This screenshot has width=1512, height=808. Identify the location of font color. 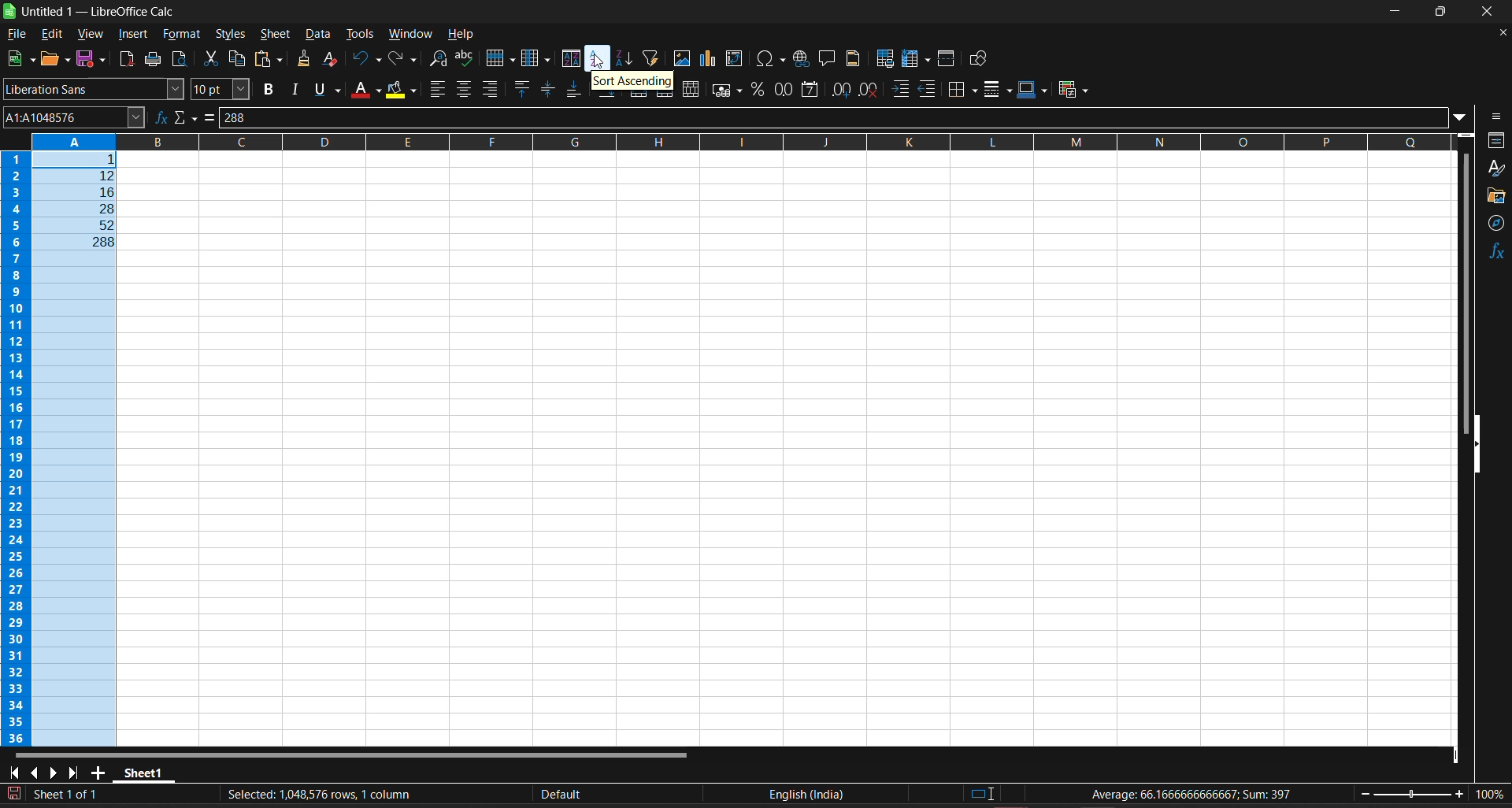
(366, 91).